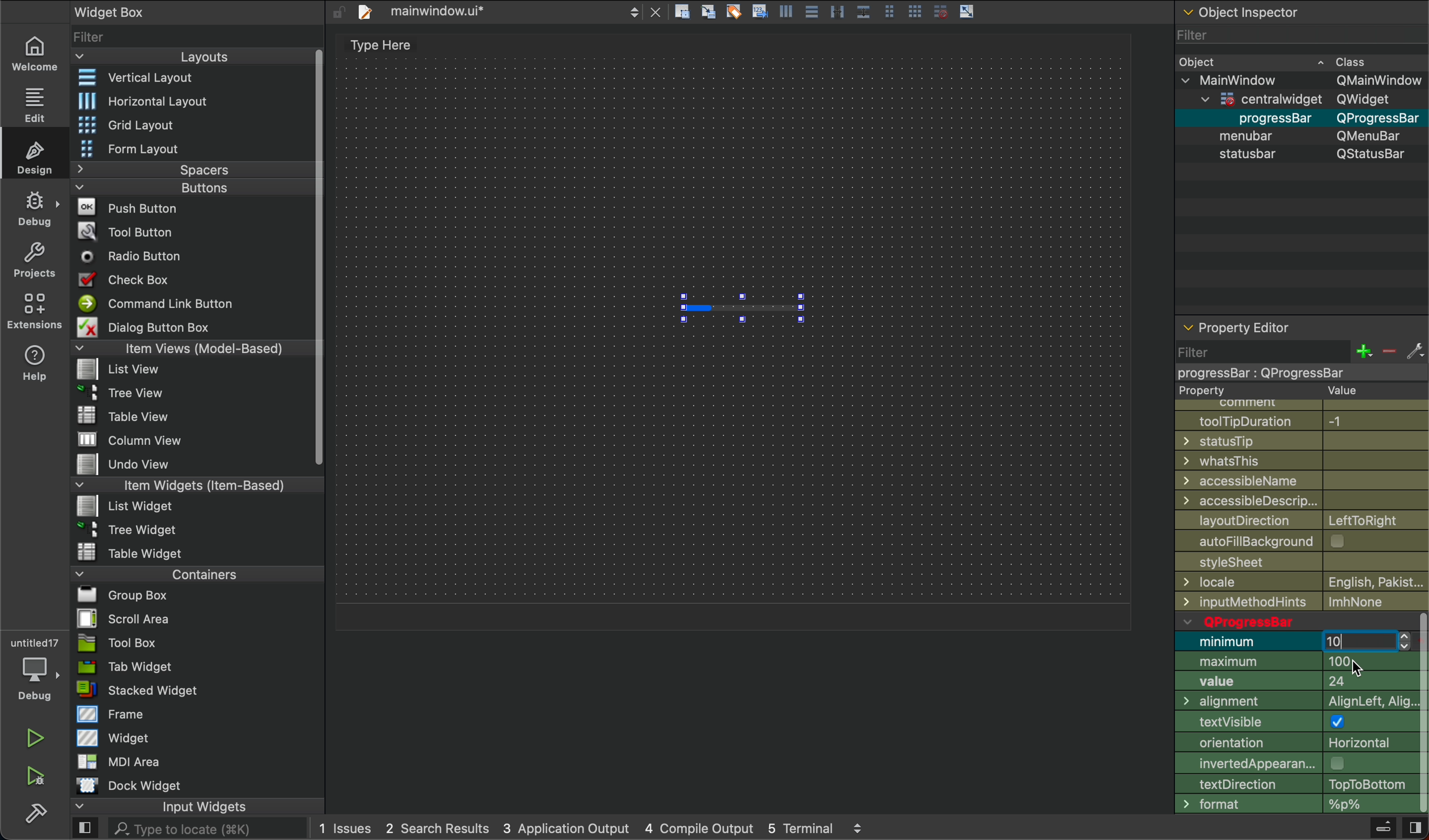 Image resolution: width=1429 pixels, height=840 pixels. I want to click on Orientation , so click(1293, 745).